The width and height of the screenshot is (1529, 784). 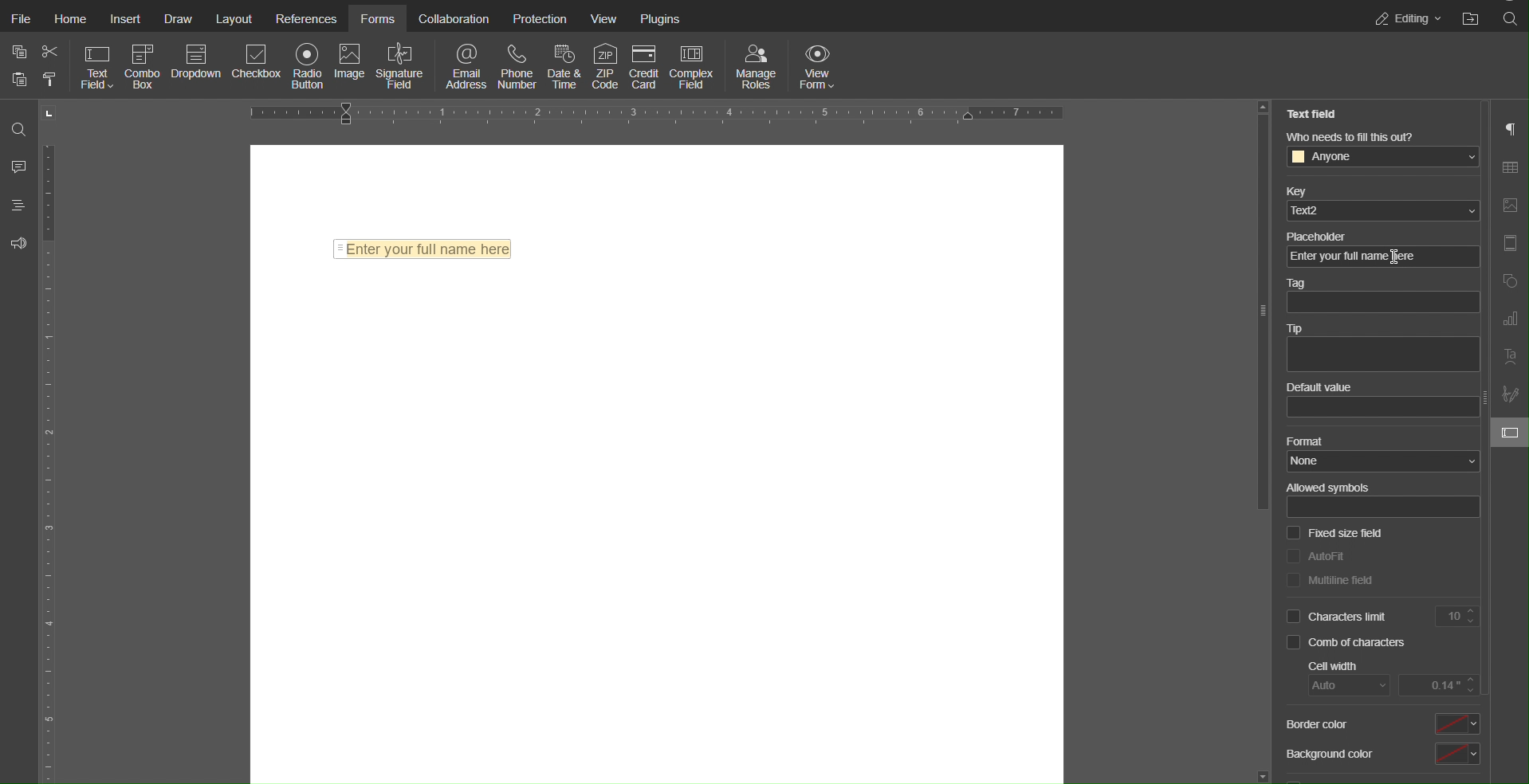 I want to click on Image, so click(x=349, y=68).